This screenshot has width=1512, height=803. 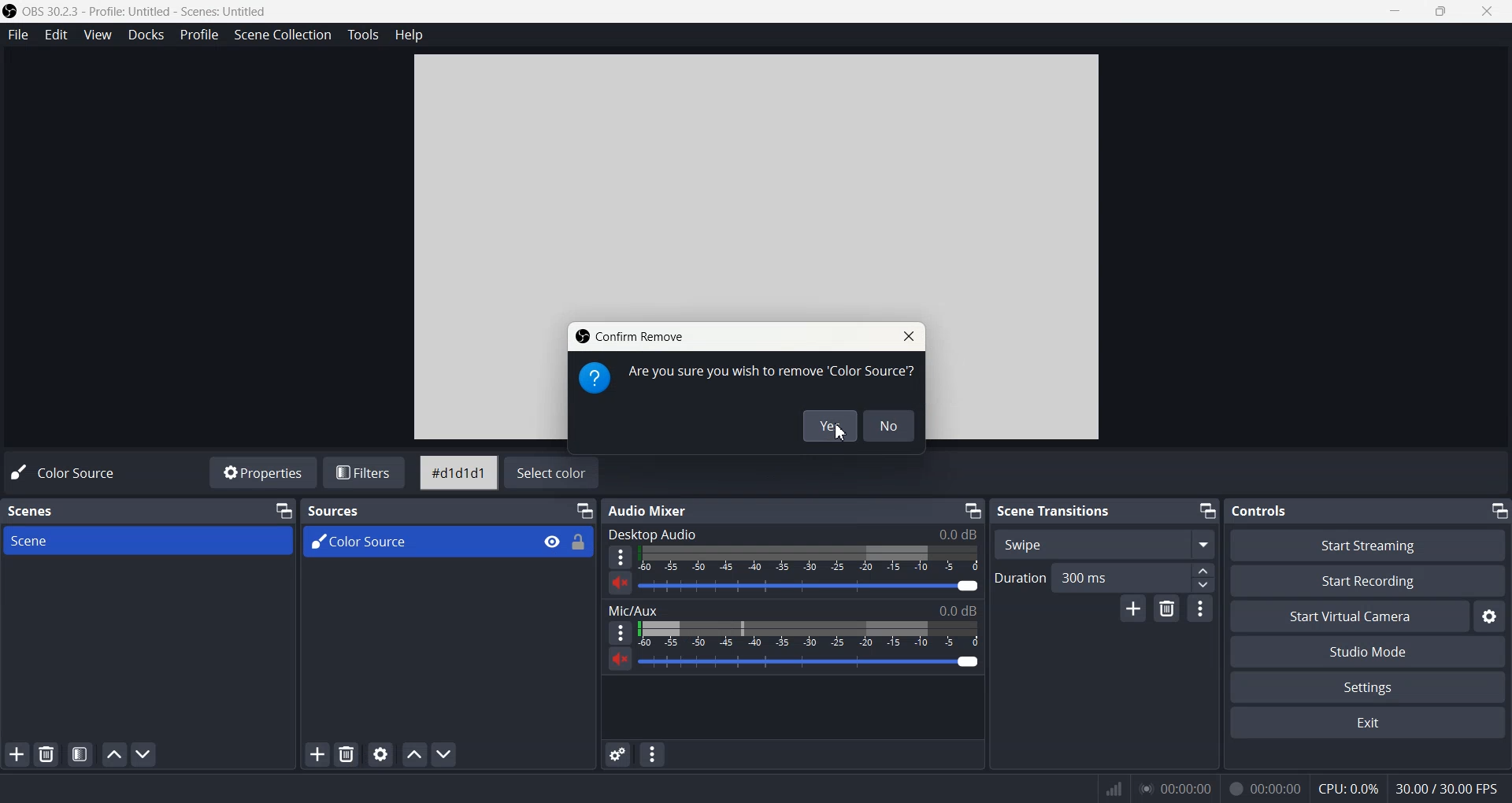 What do you see at coordinates (973, 509) in the screenshot?
I see `Minimize` at bounding box center [973, 509].